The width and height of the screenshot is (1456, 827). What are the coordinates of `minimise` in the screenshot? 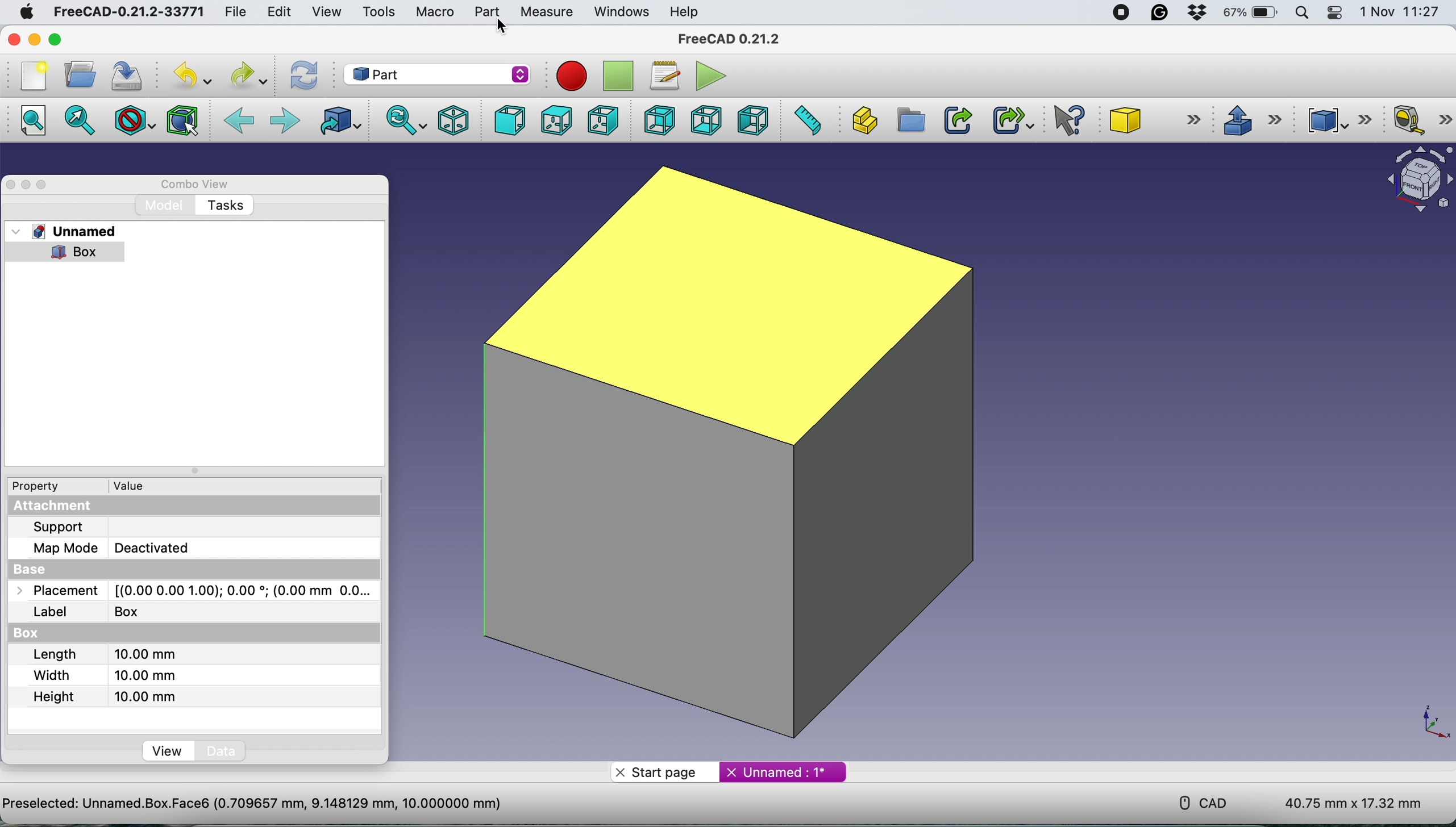 It's located at (35, 40).